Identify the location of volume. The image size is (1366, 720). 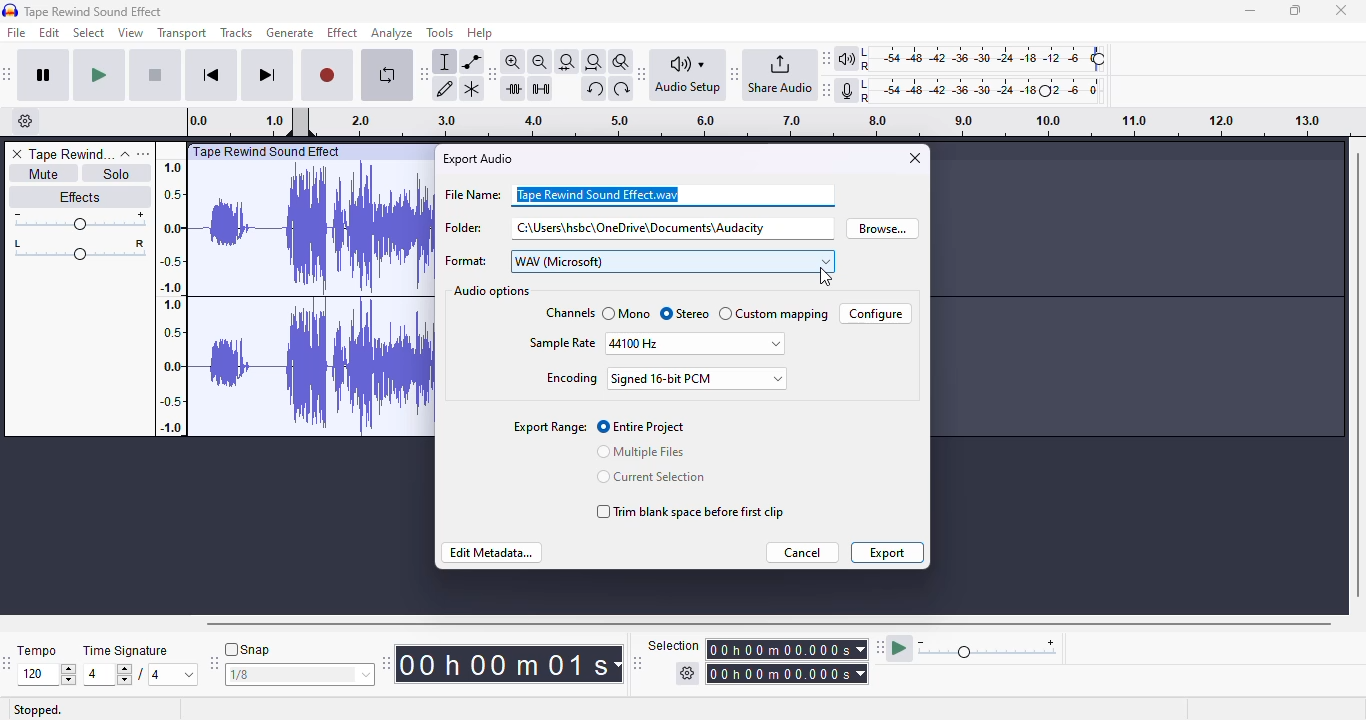
(79, 221).